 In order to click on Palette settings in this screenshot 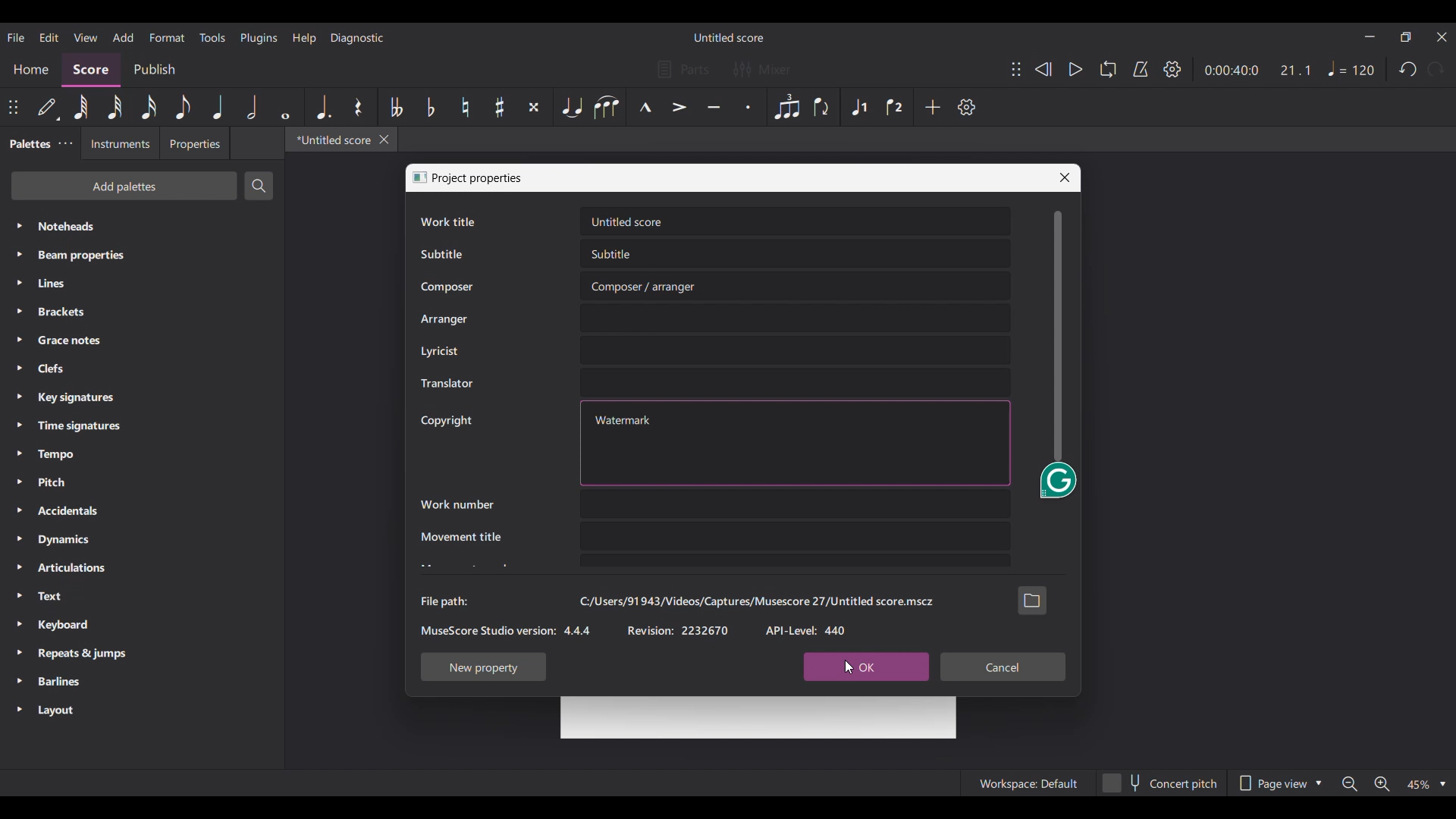, I will do `click(66, 143)`.